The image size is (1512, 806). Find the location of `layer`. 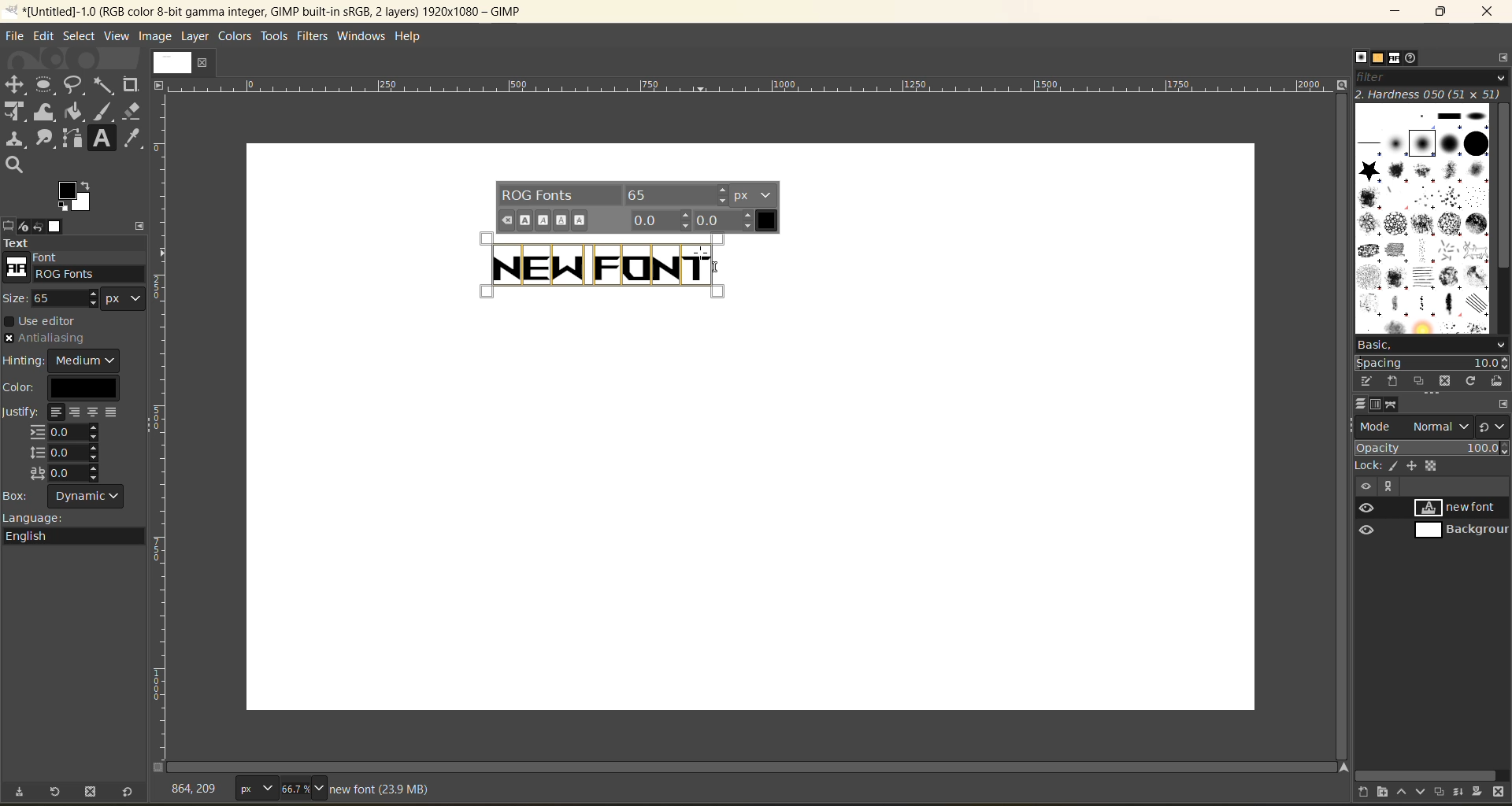

layer is located at coordinates (197, 38).